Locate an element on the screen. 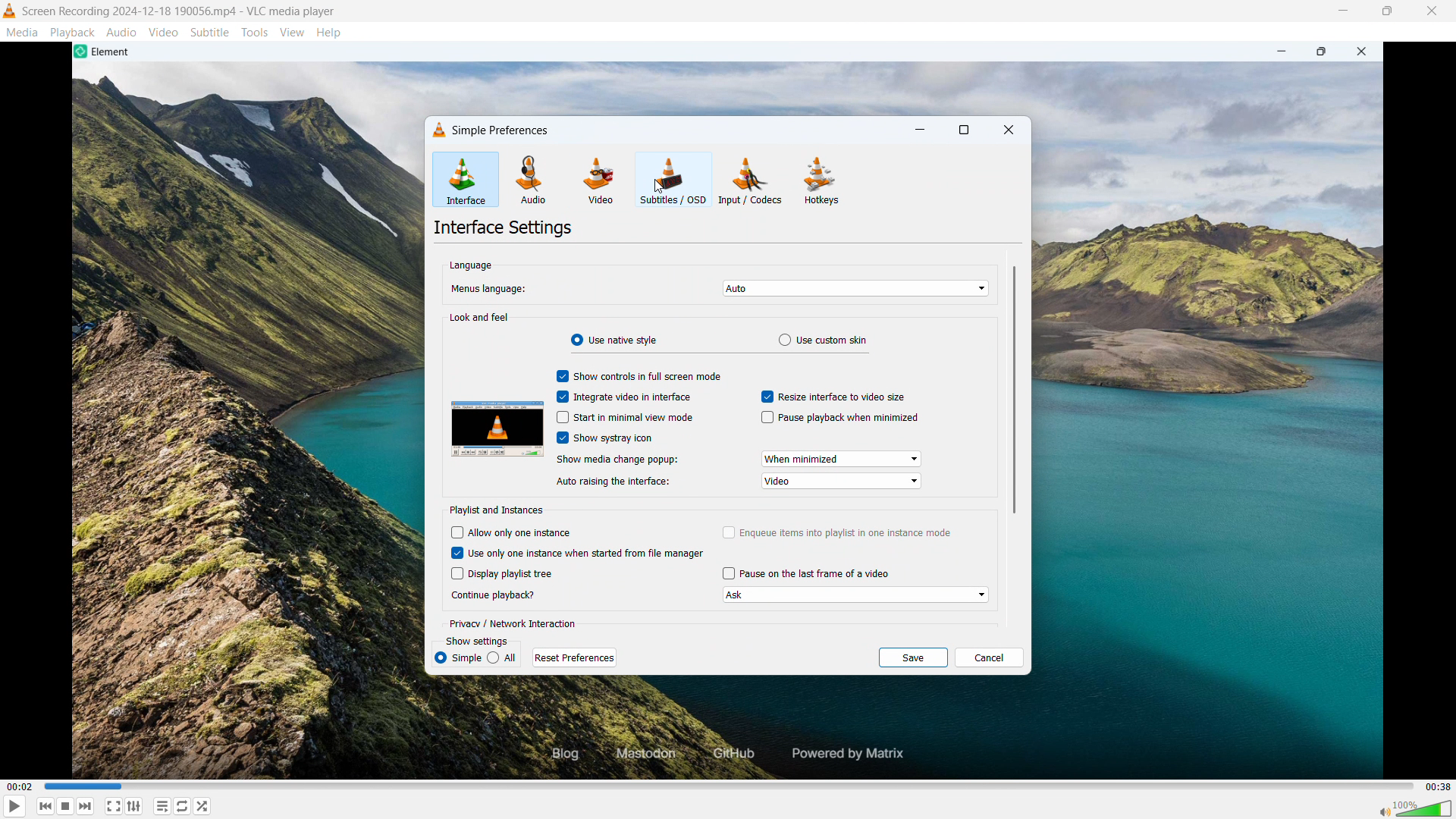 This screenshot has height=819, width=1456. minimise  is located at coordinates (1341, 11).